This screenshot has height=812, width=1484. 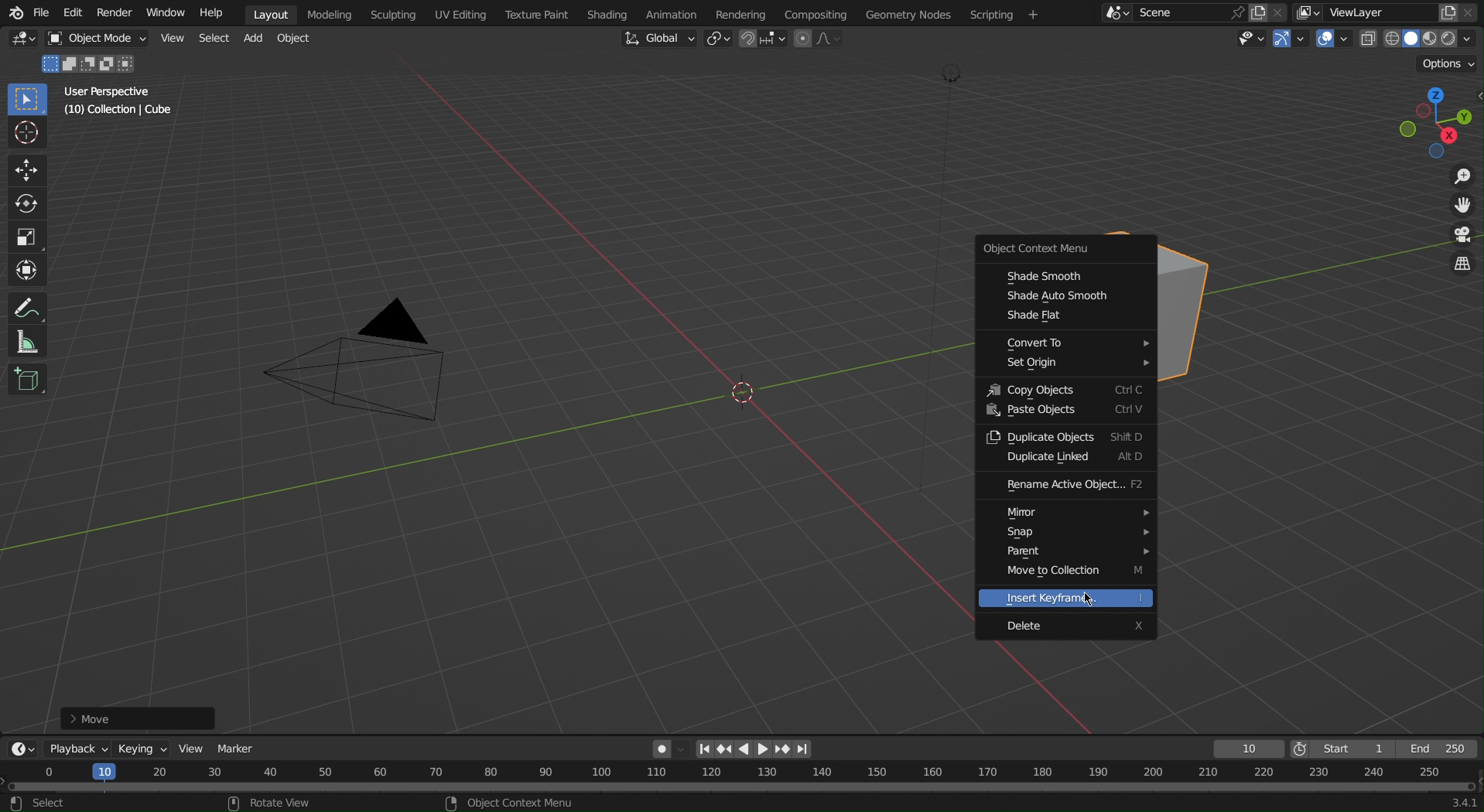 I want to click on Window, so click(x=169, y=12).